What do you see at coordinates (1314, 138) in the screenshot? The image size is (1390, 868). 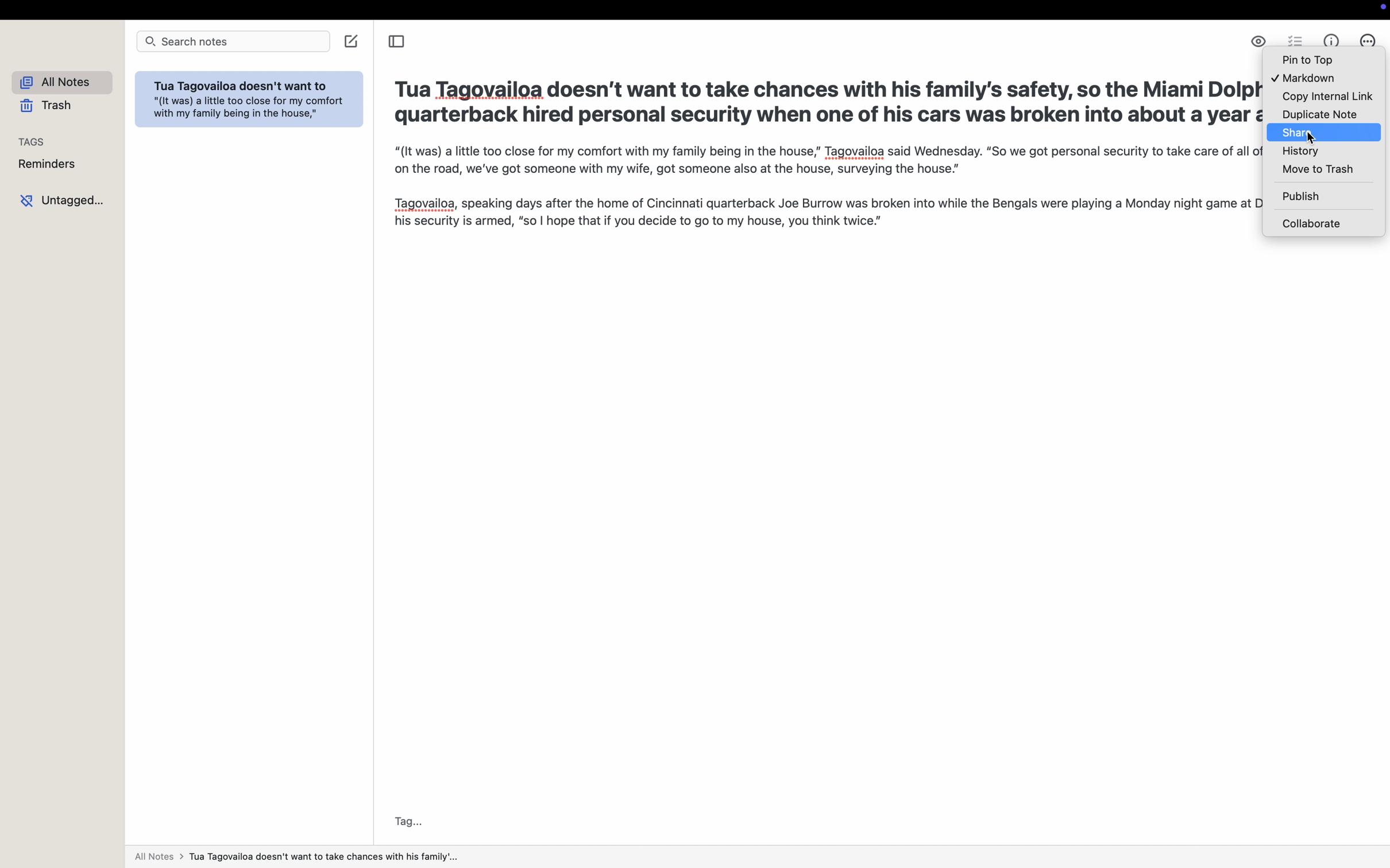 I see `cursor` at bounding box center [1314, 138].